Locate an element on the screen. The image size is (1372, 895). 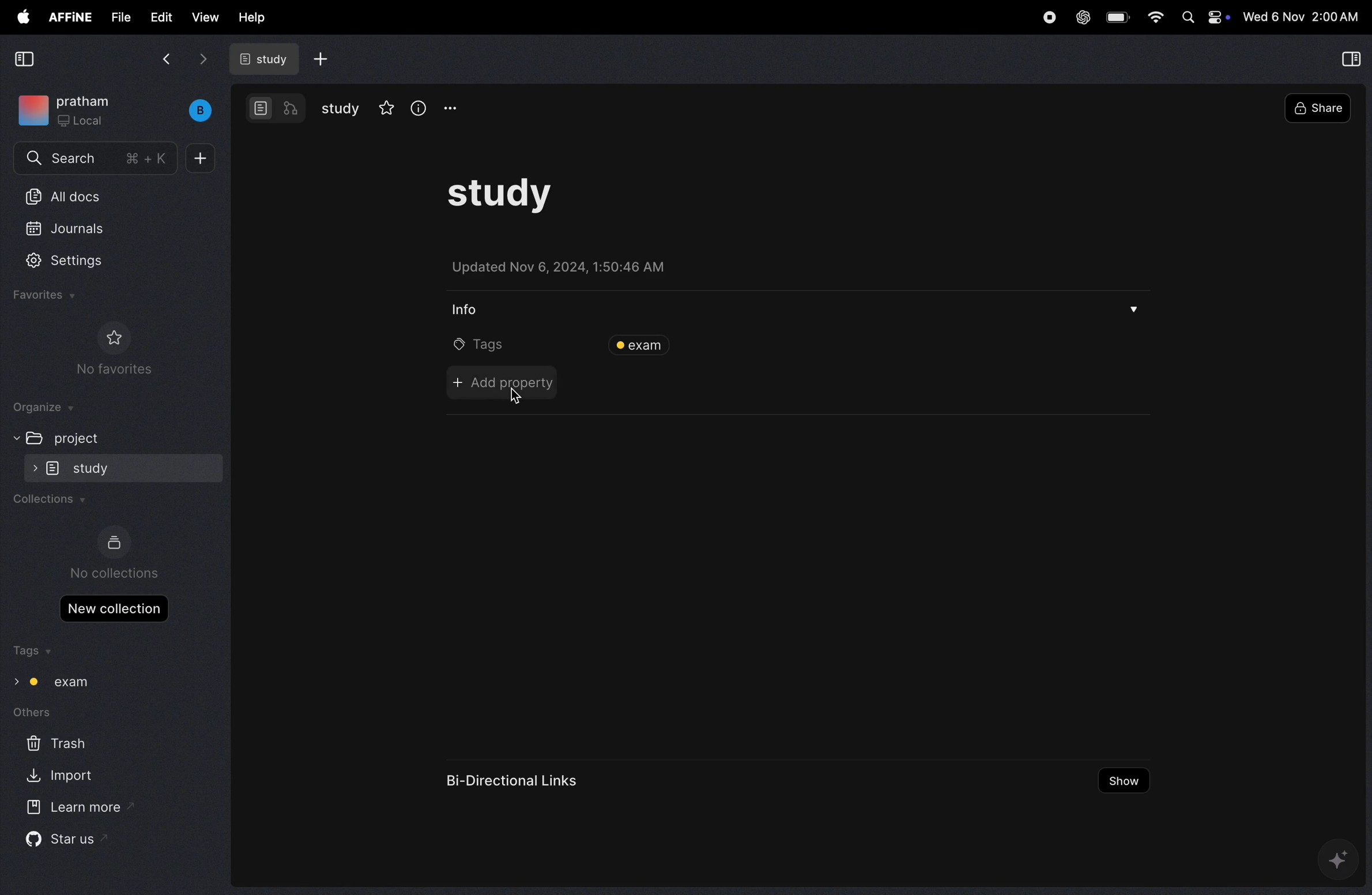
star us is located at coordinates (75, 844).